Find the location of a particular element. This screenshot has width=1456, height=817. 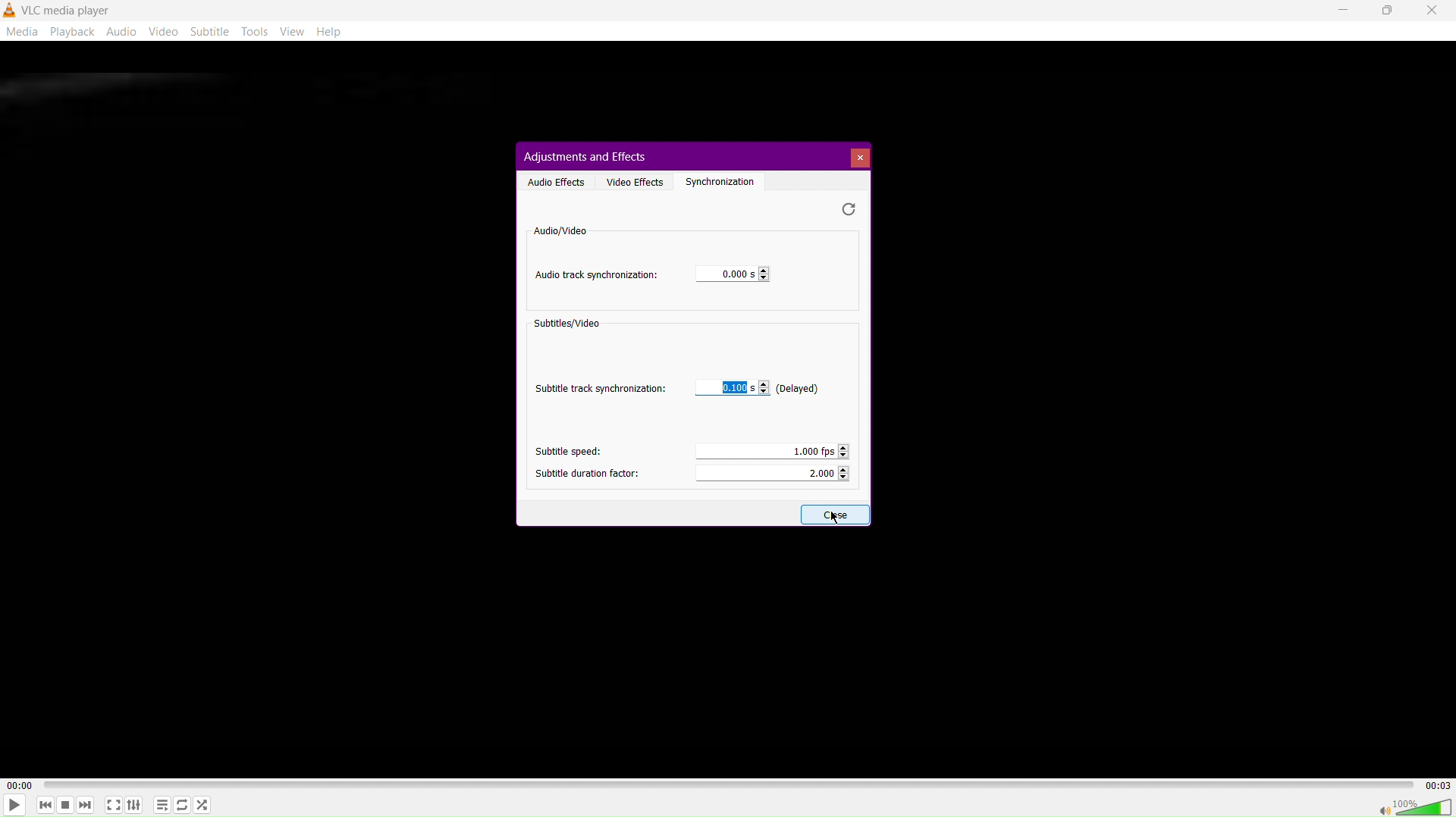

Volume is located at coordinates (1425, 806).